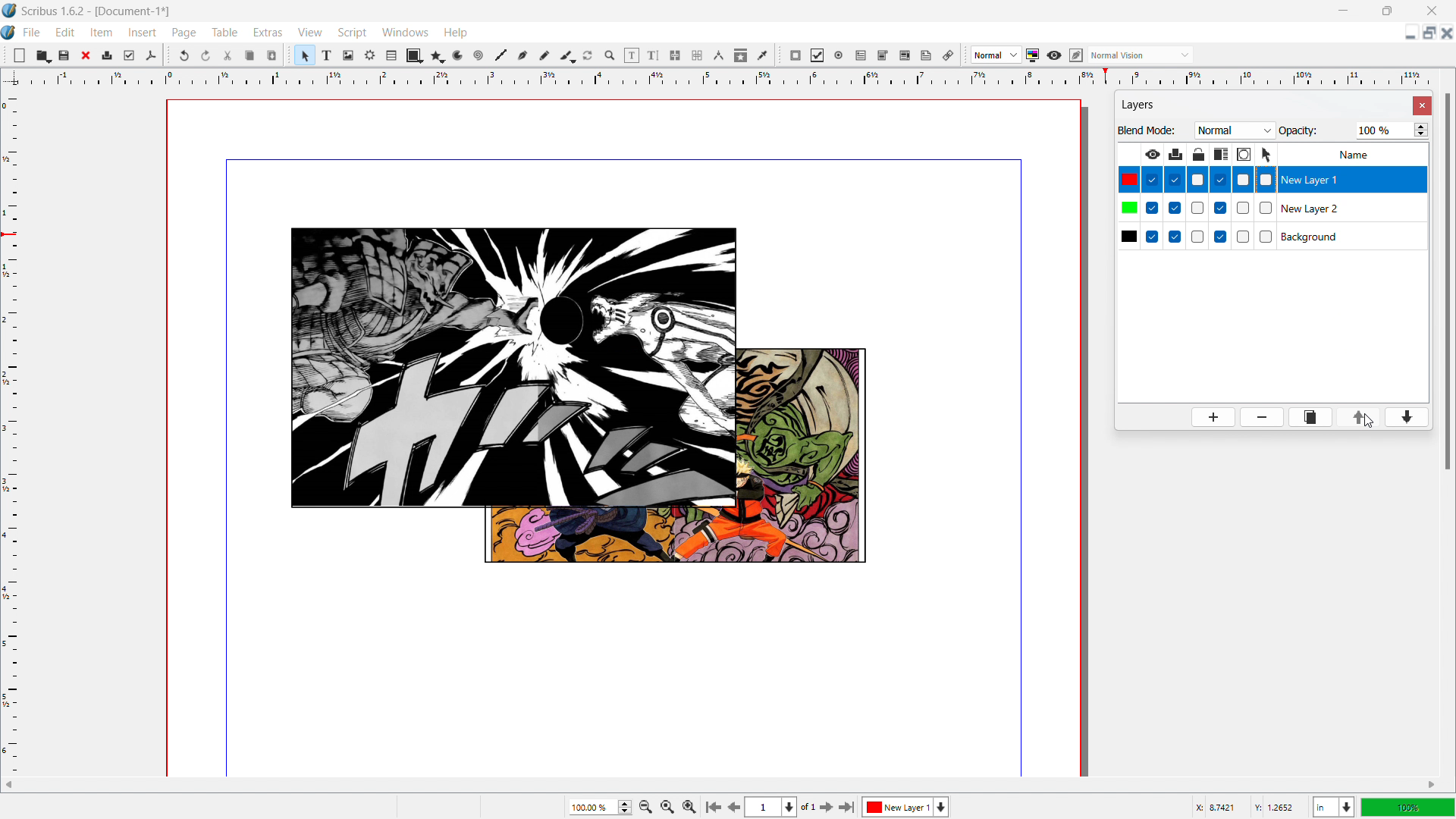  I want to click on measurements, so click(719, 55).